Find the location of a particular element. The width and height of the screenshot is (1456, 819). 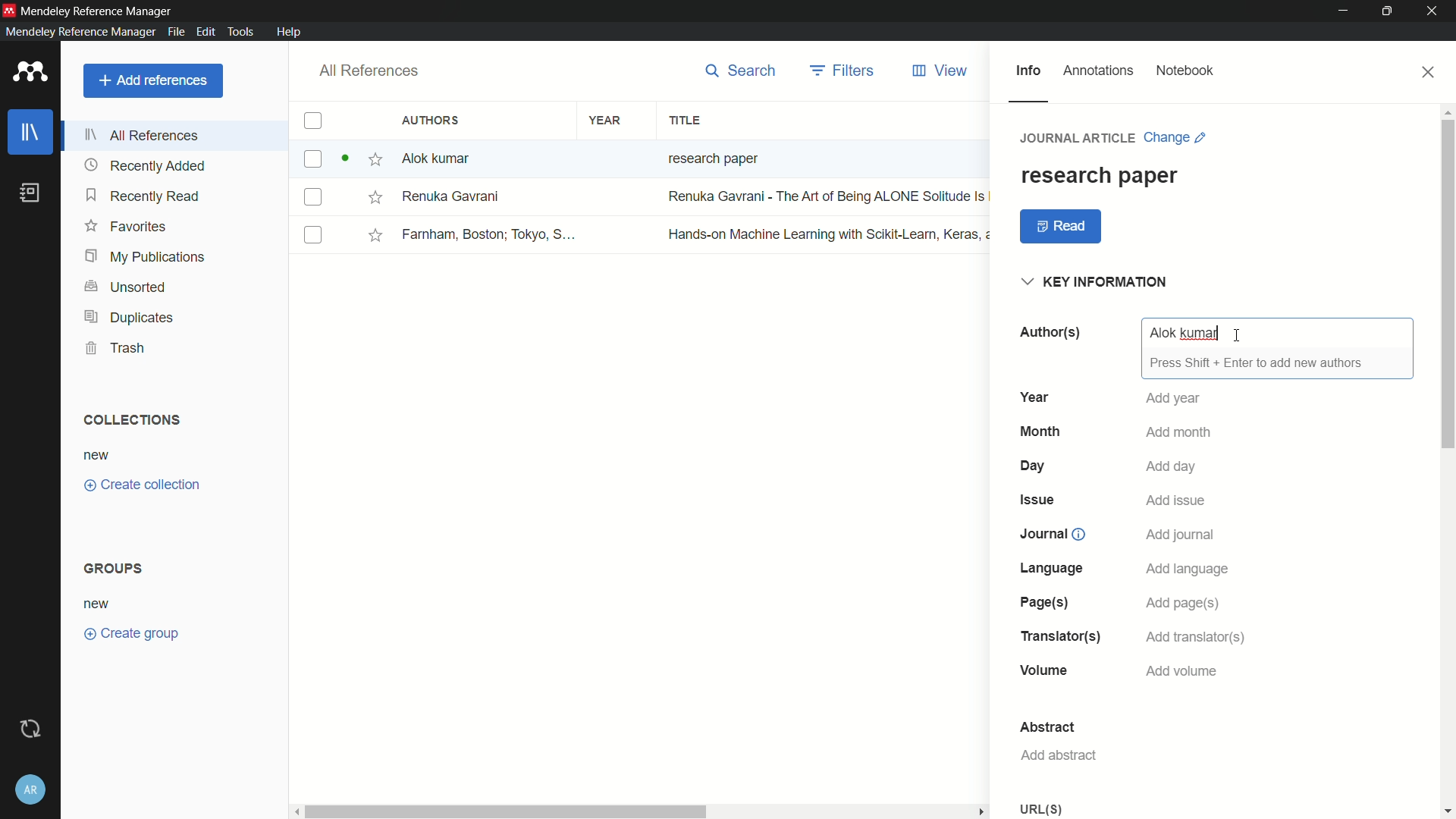

view is located at coordinates (941, 71).